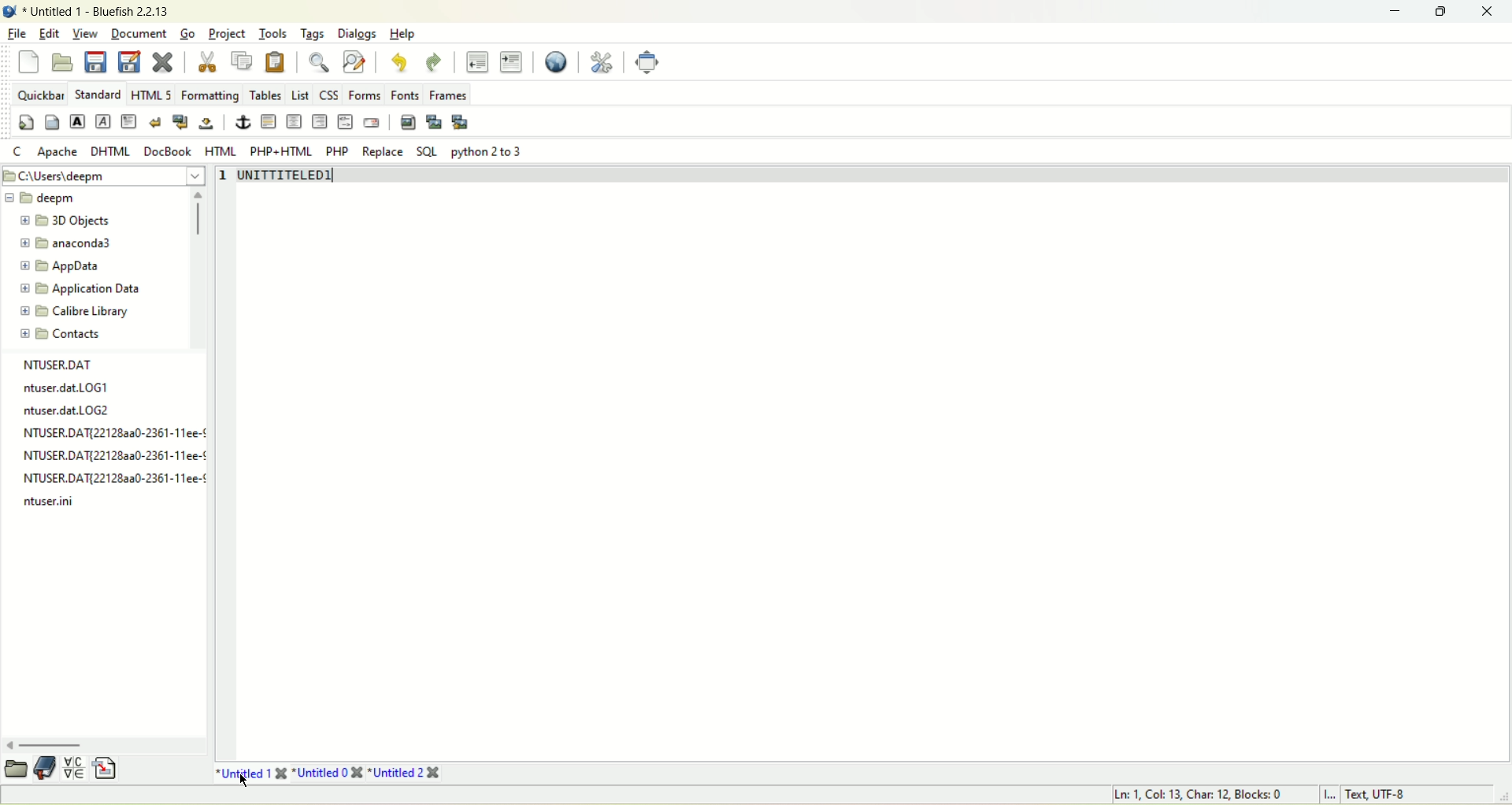 The image size is (1512, 805). I want to click on save current file, so click(95, 64).